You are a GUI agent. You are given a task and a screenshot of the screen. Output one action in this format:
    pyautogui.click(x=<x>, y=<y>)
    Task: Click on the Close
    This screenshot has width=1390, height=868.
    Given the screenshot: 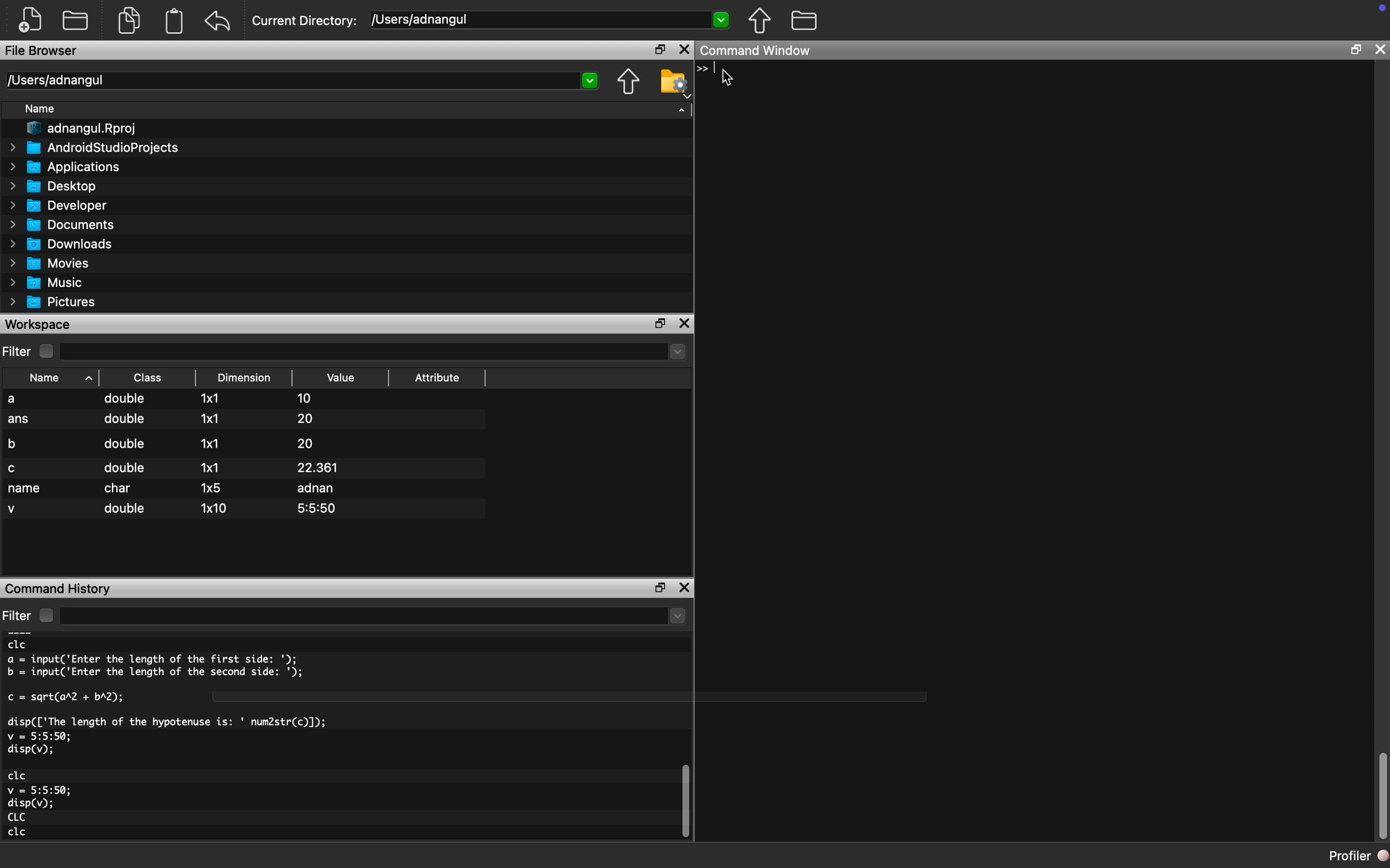 What is the action you would take?
    pyautogui.click(x=686, y=584)
    